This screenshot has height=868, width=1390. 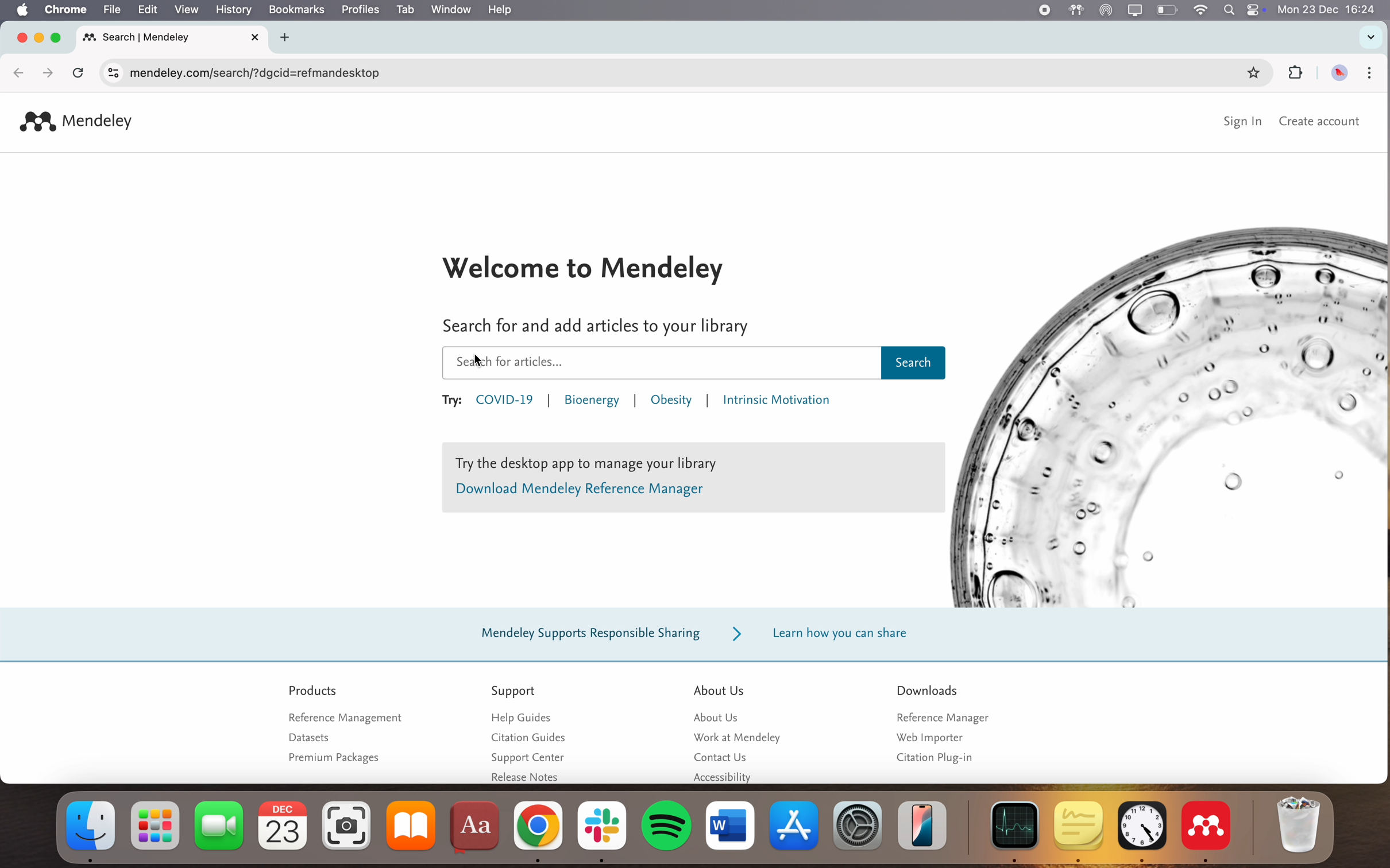 What do you see at coordinates (1249, 75) in the screenshot?
I see `favorite` at bounding box center [1249, 75].